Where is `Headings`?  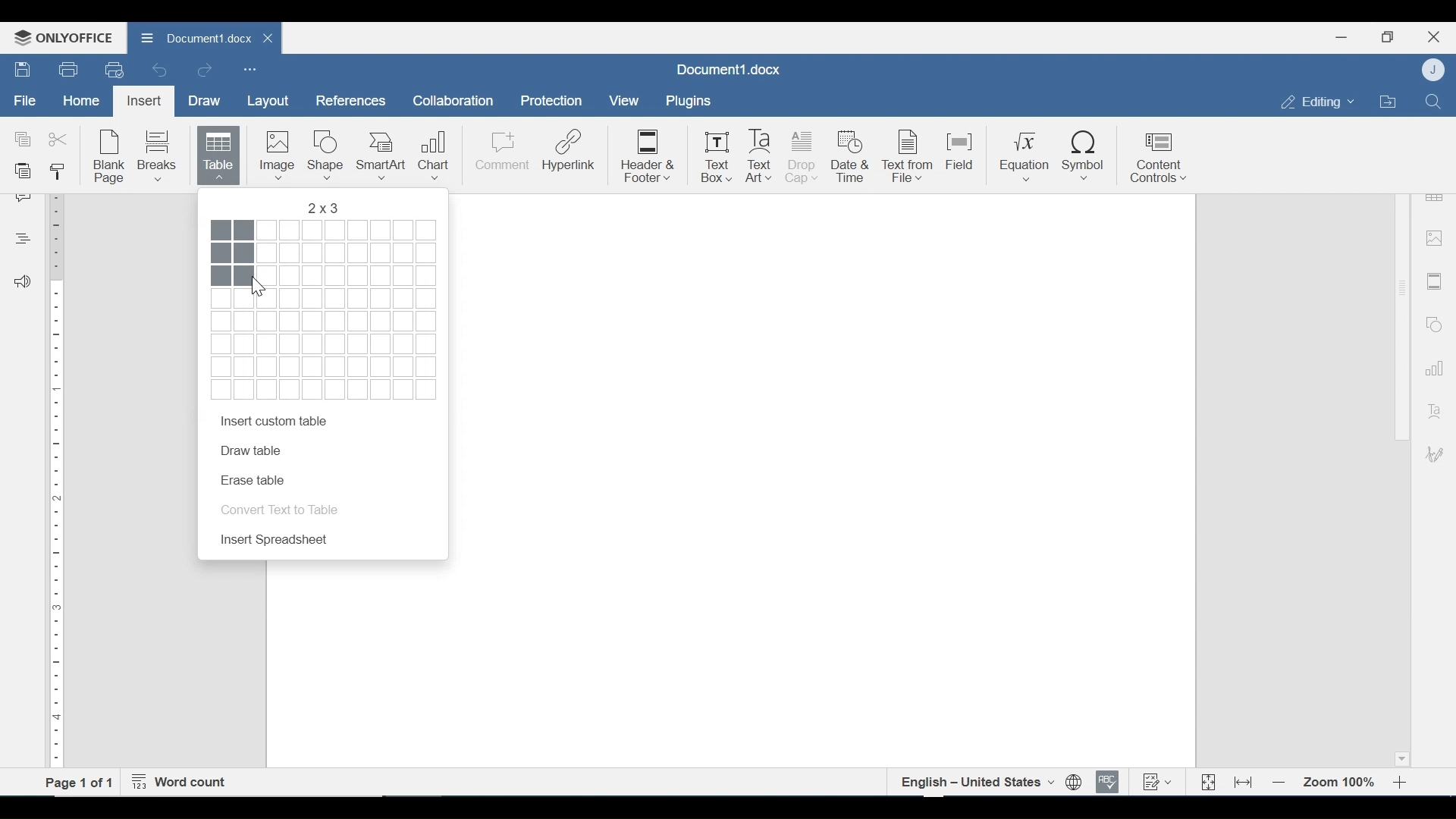
Headings is located at coordinates (22, 237).